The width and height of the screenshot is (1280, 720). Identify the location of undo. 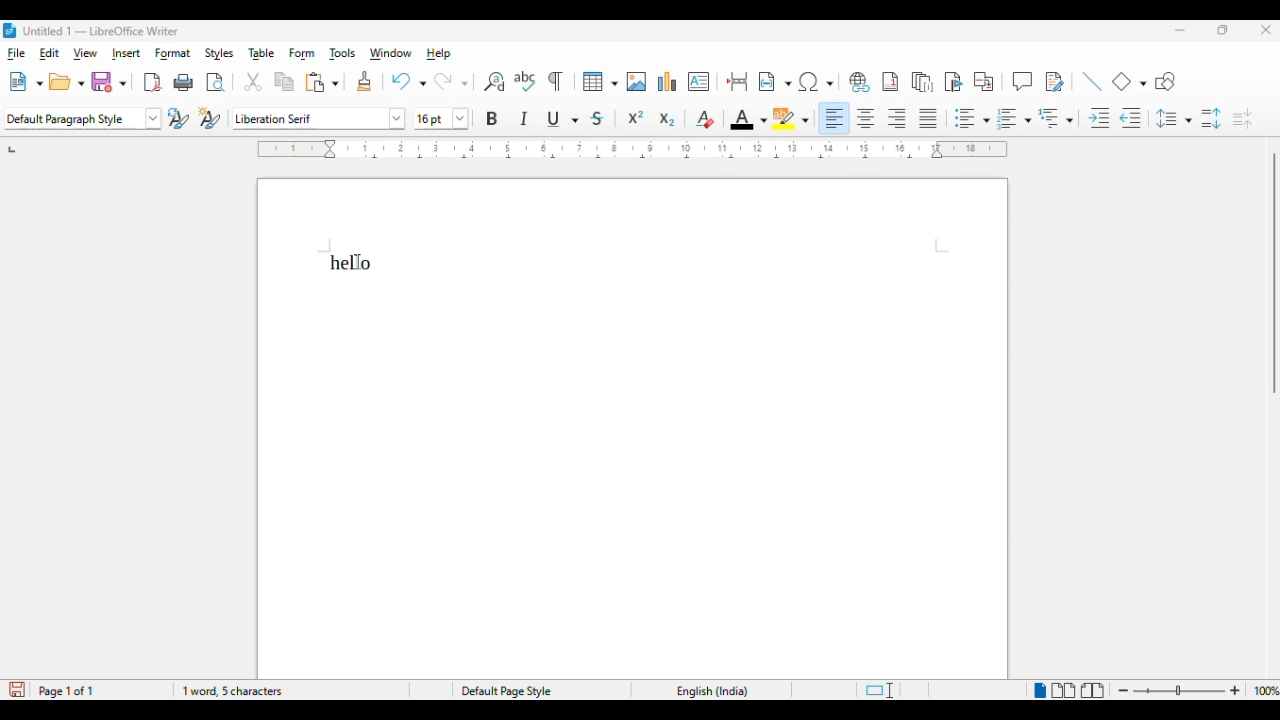
(408, 81).